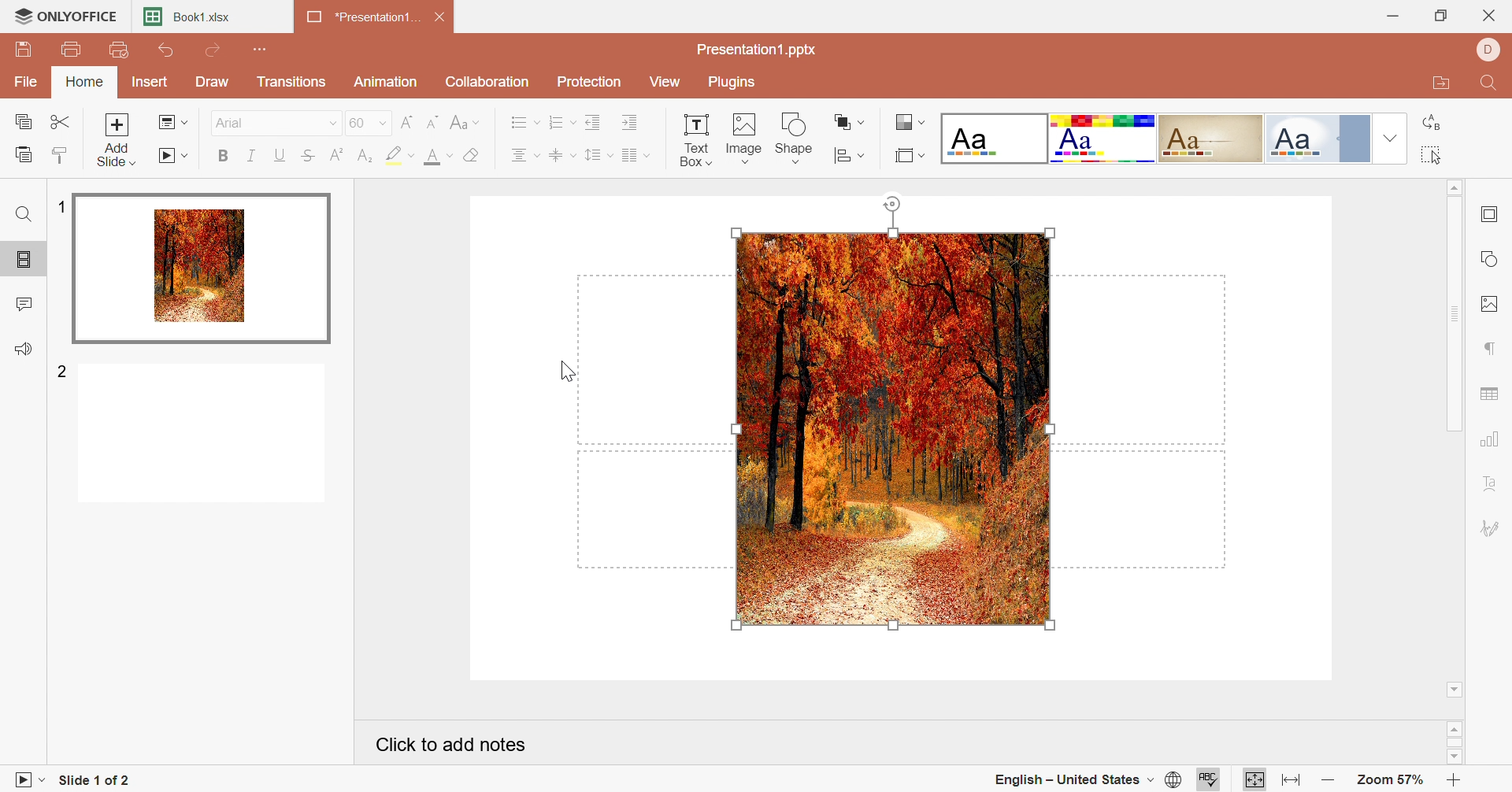 Image resolution: width=1512 pixels, height=792 pixels. What do you see at coordinates (150, 81) in the screenshot?
I see `Insert` at bounding box center [150, 81].